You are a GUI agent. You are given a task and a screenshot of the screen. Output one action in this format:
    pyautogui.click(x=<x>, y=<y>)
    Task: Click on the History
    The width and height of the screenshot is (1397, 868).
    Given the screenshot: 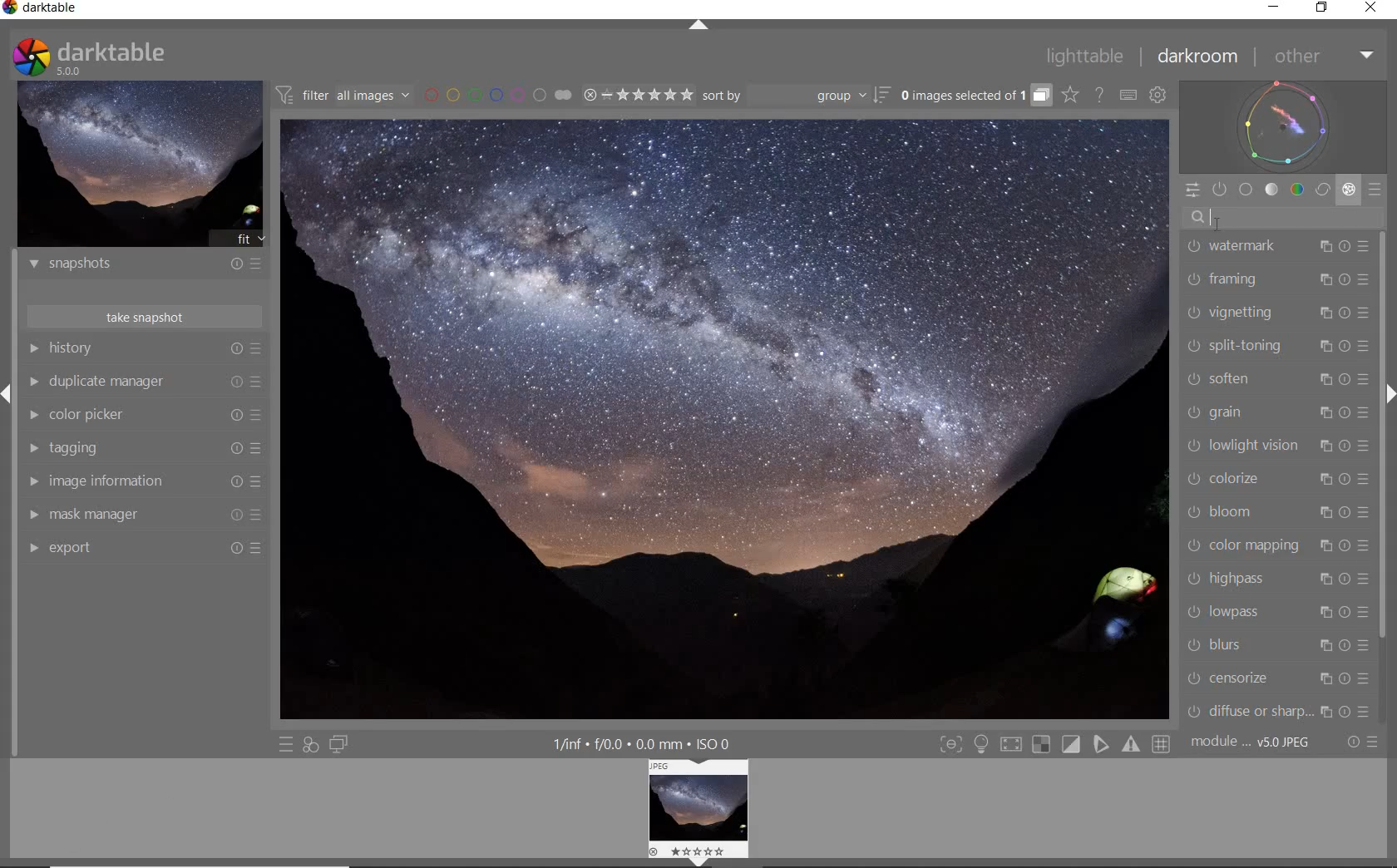 What is the action you would take?
    pyautogui.click(x=86, y=349)
    